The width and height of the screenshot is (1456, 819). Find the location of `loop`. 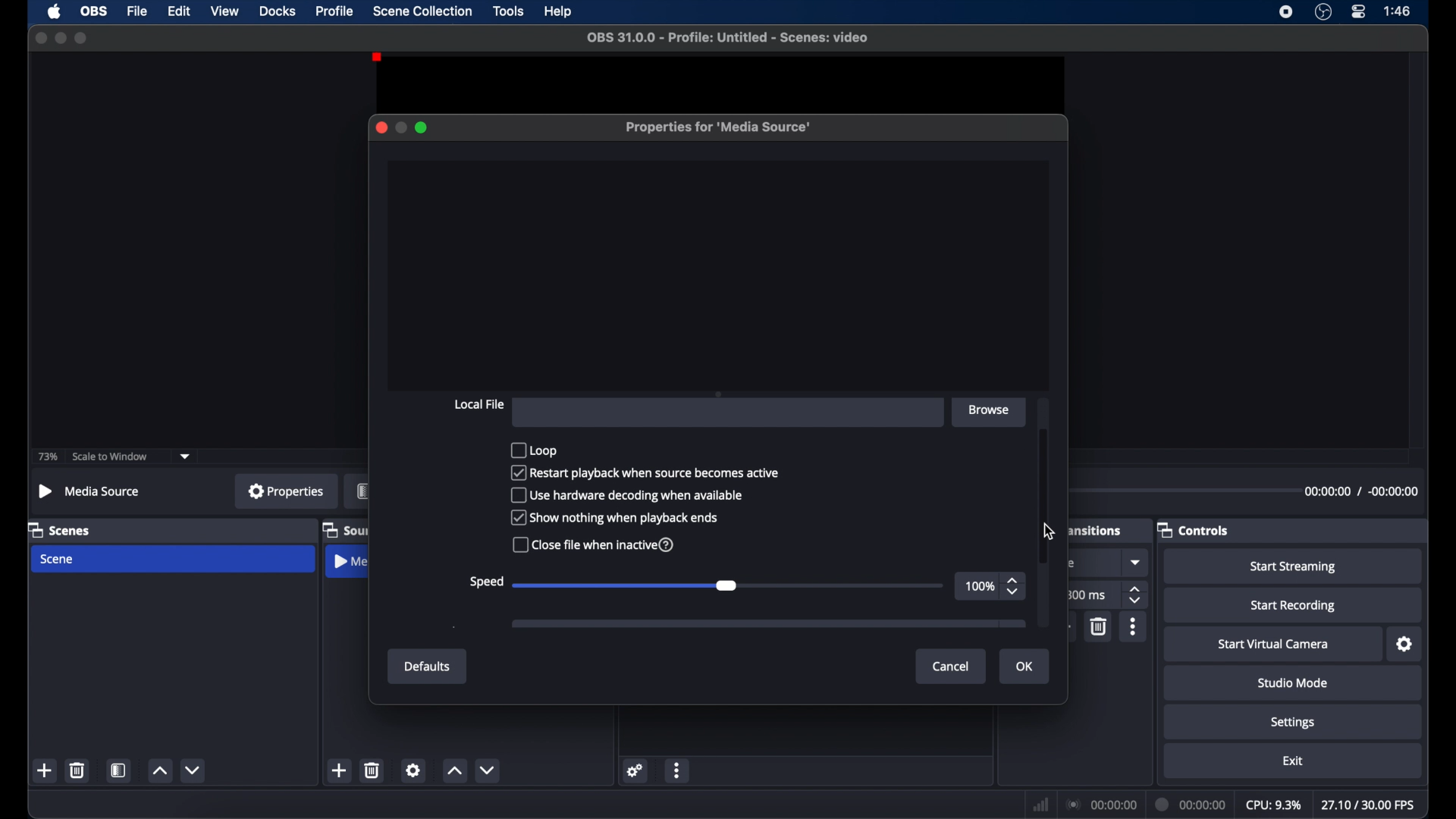

loop is located at coordinates (533, 449).